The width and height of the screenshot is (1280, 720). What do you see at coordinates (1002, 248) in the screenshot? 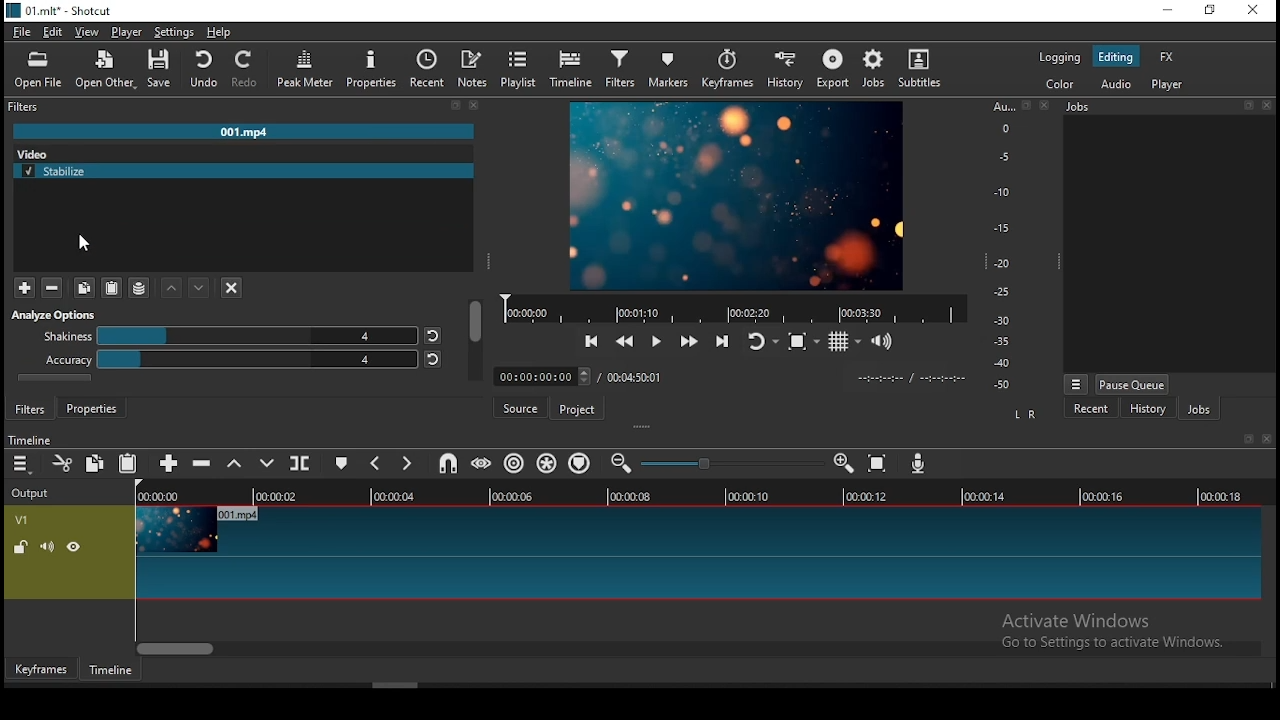
I see `graph` at bounding box center [1002, 248].